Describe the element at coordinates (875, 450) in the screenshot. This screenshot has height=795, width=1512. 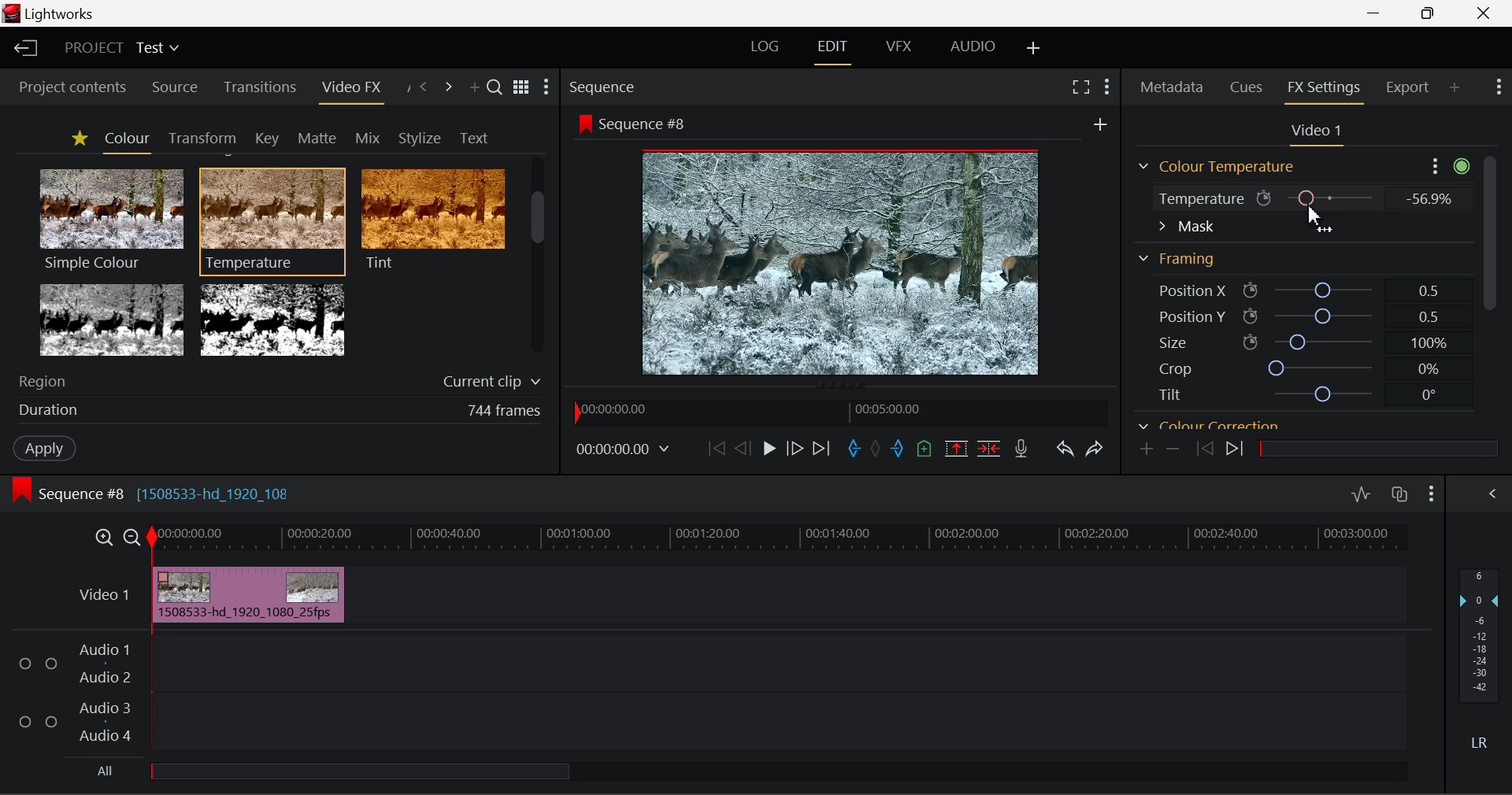
I see `Remove all marks` at that location.